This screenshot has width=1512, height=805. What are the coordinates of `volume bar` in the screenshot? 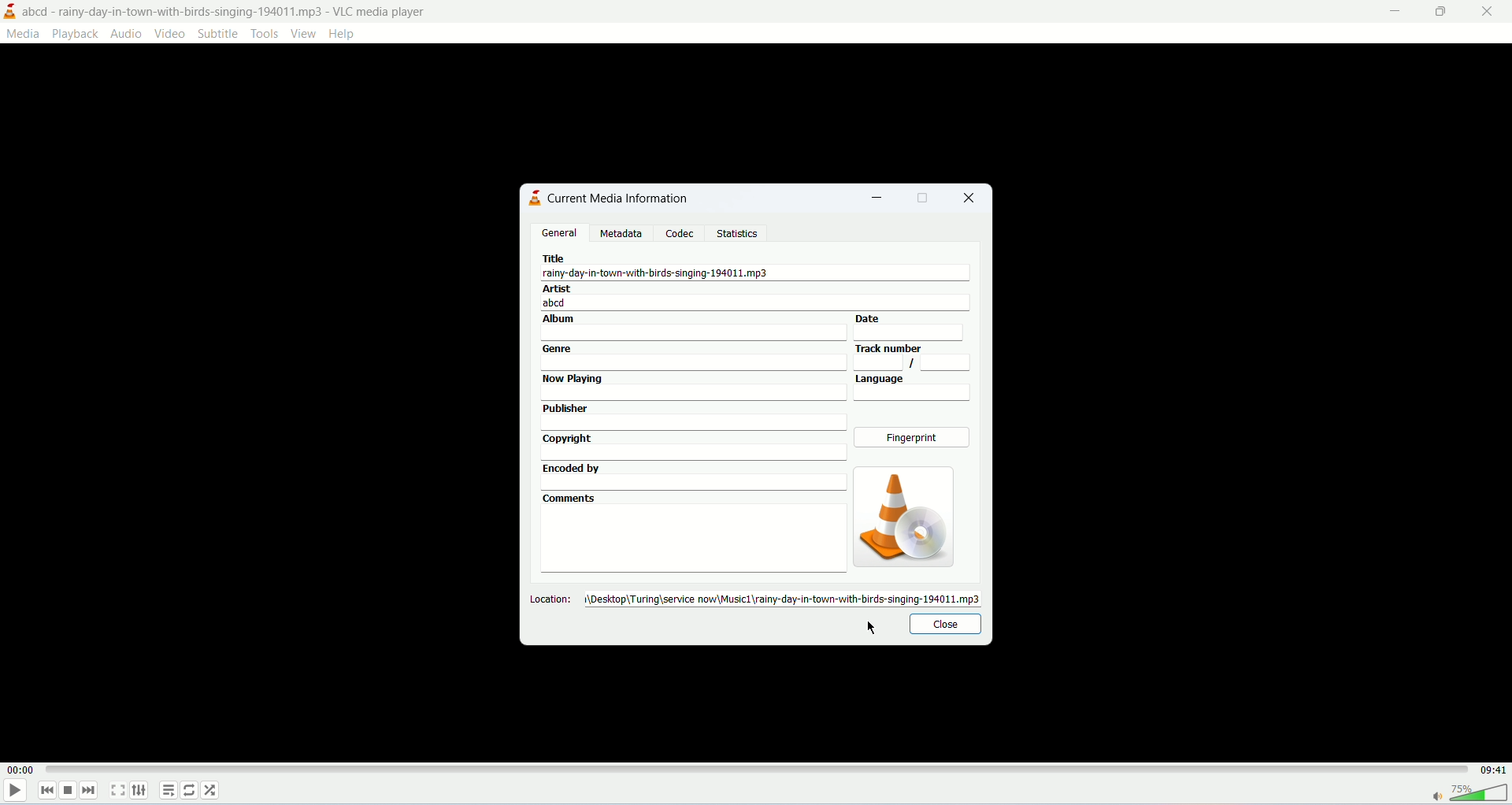 It's located at (1466, 794).